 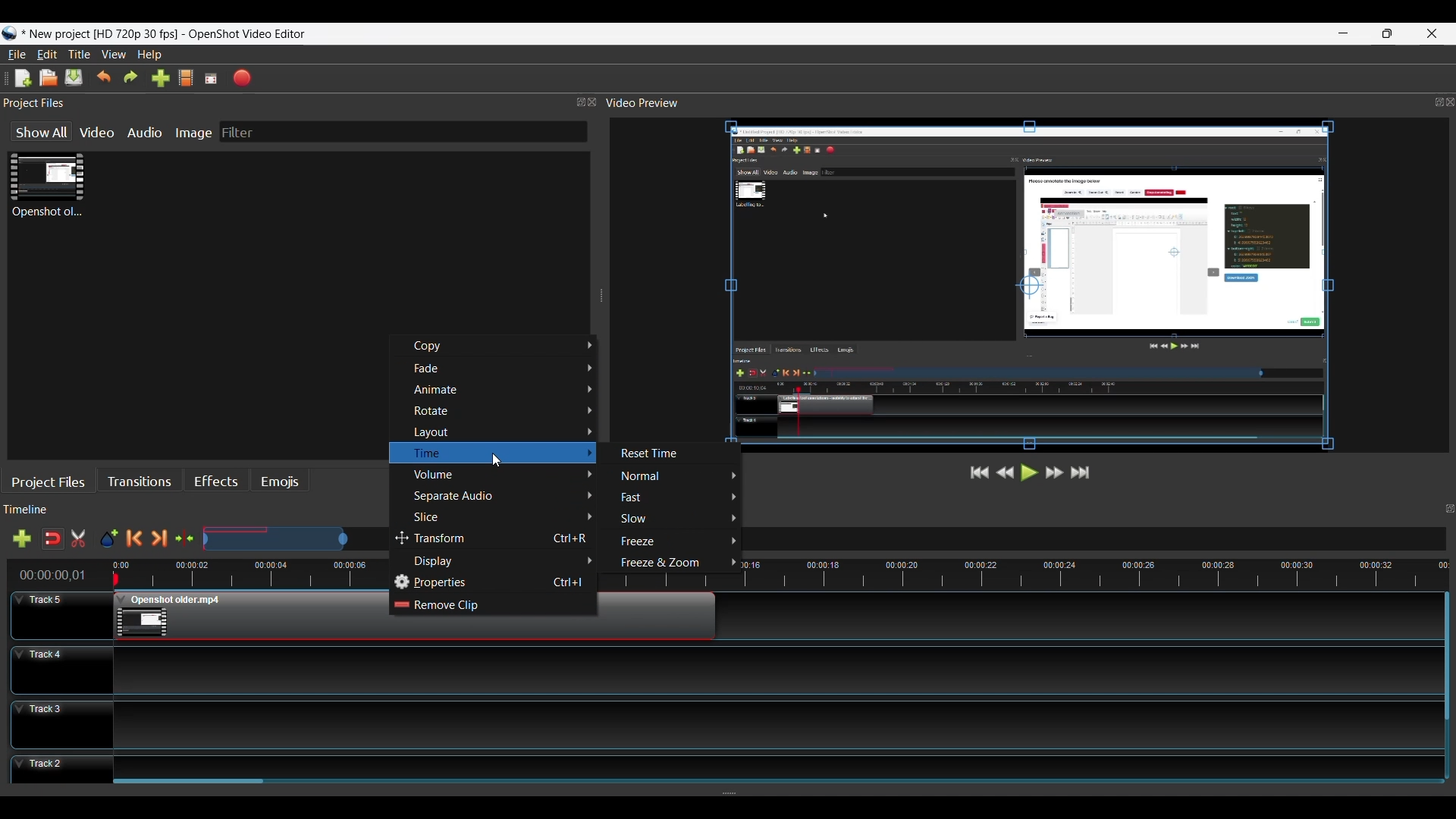 What do you see at coordinates (196, 573) in the screenshot?
I see `Timeline` at bounding box center [196, 573].